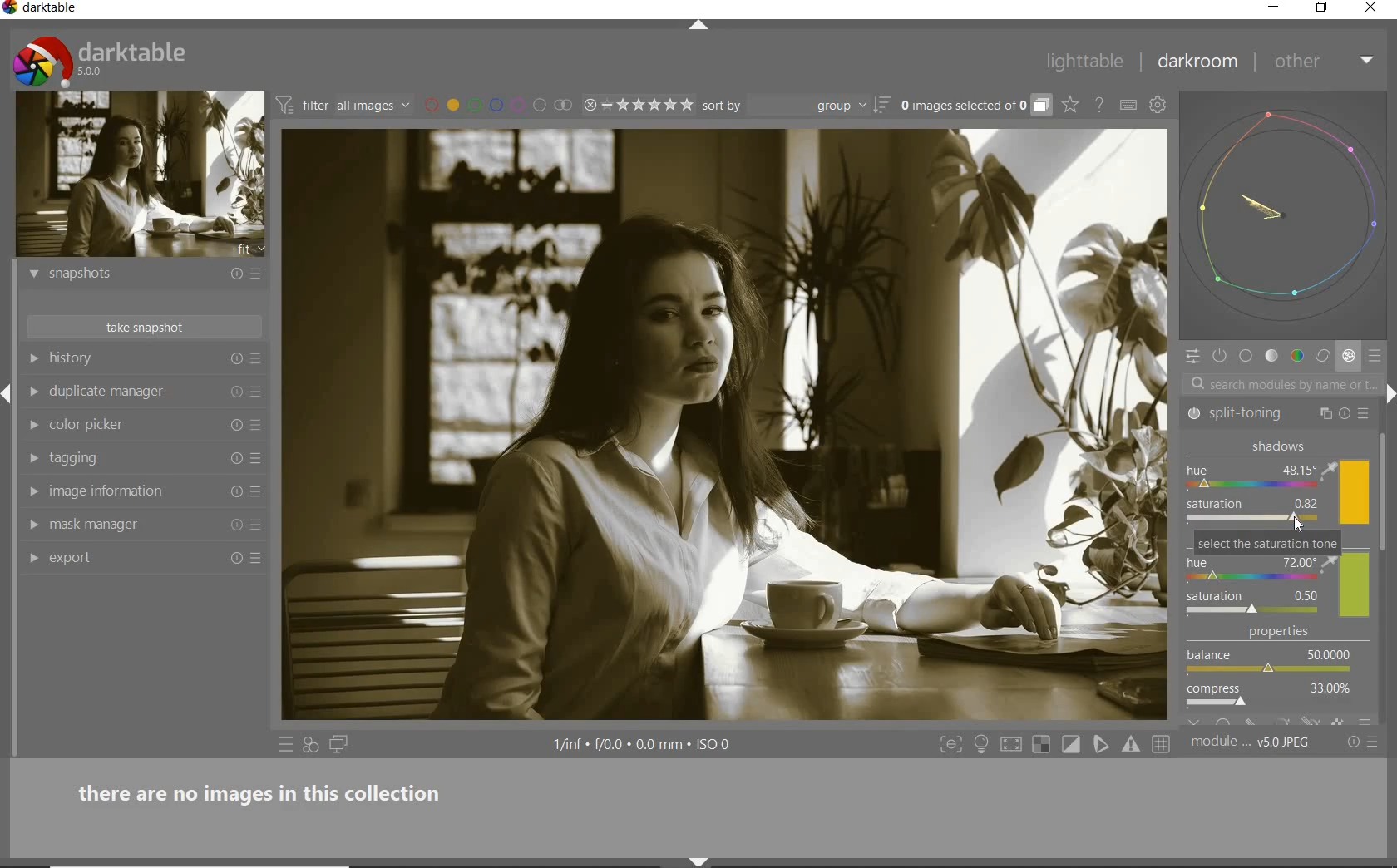  What do you see at coordinates (1323, 357) in the screenshot?
I see `correct` at bounding box center [1323, 357].